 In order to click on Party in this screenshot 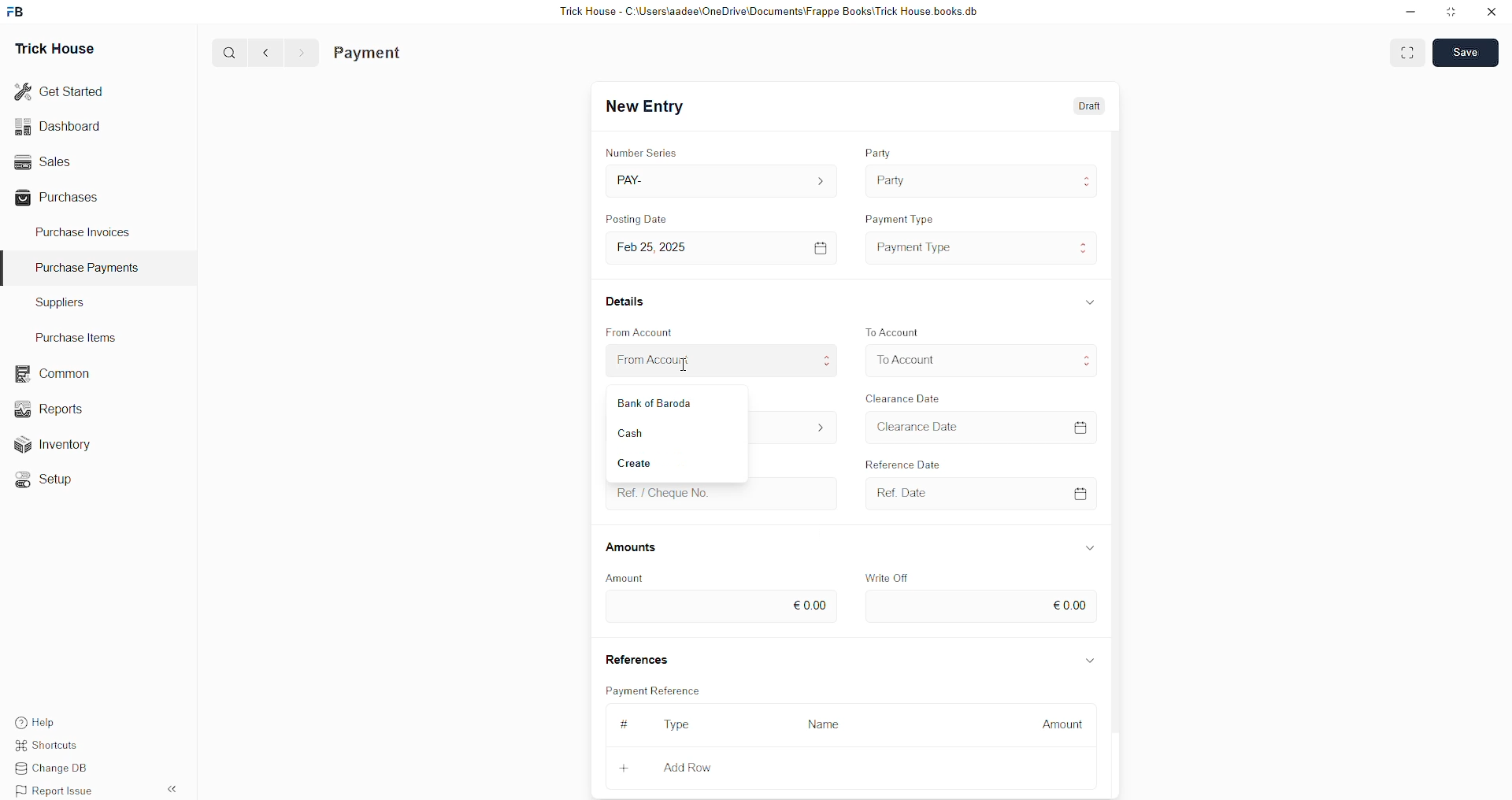, I will do `click(892, 179)`.